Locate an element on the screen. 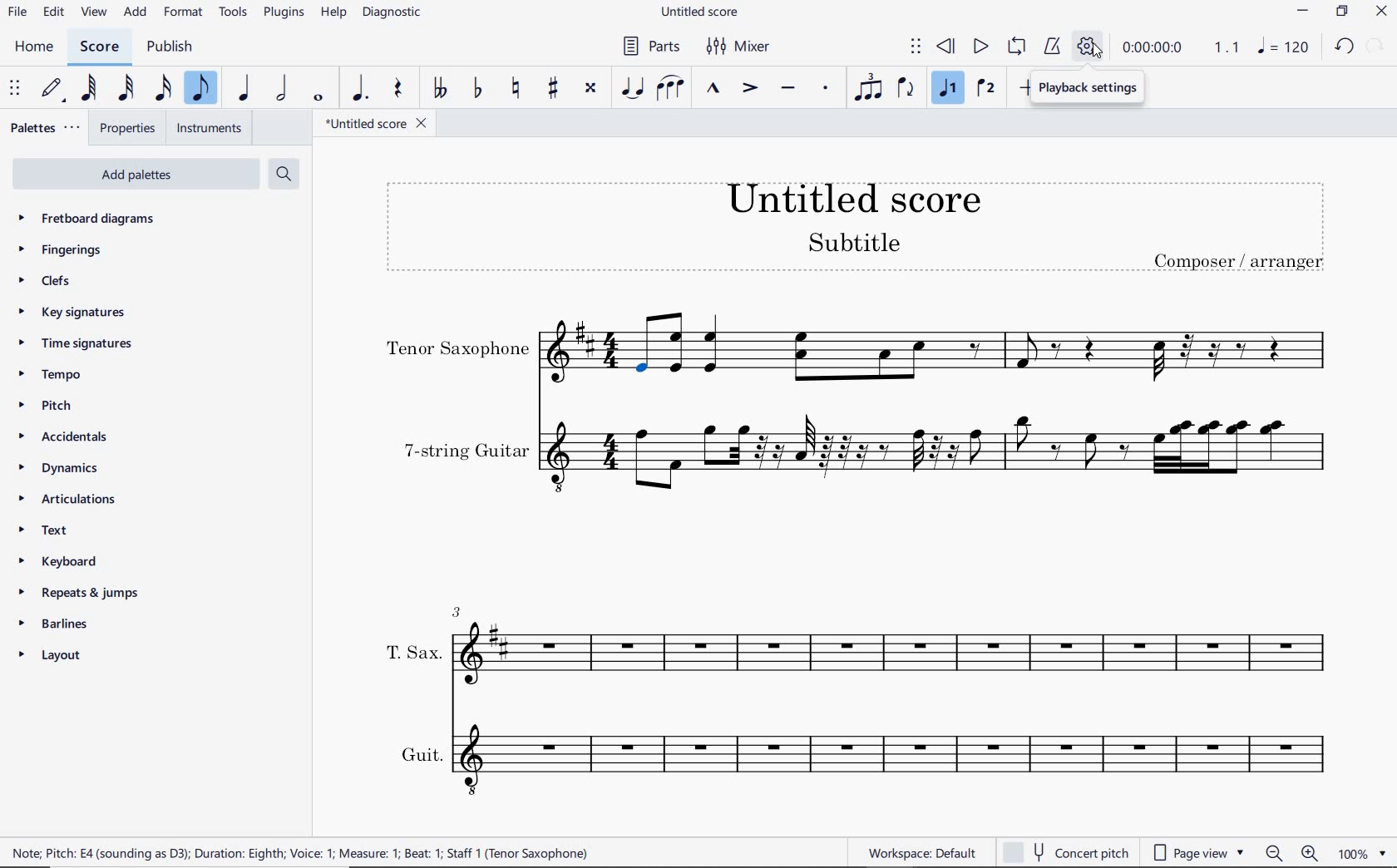  KEY SIGNATURES is located at coordinates (72, 312).